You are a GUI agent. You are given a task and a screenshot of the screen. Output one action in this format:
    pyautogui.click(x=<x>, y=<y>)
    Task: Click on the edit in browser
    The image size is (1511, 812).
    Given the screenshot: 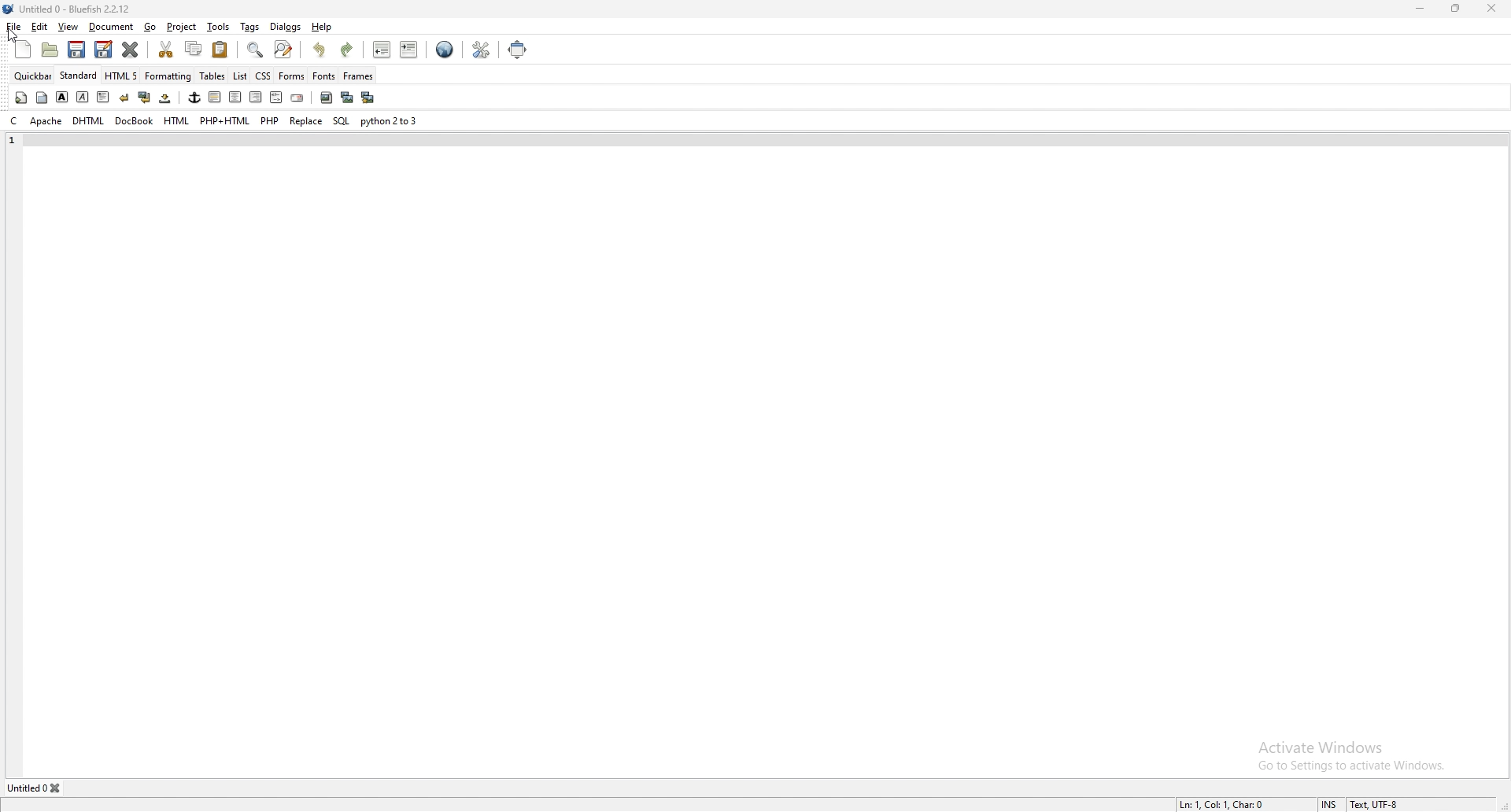 What is the action you would take?
    pyautogui.click(x=445, y=50)
    